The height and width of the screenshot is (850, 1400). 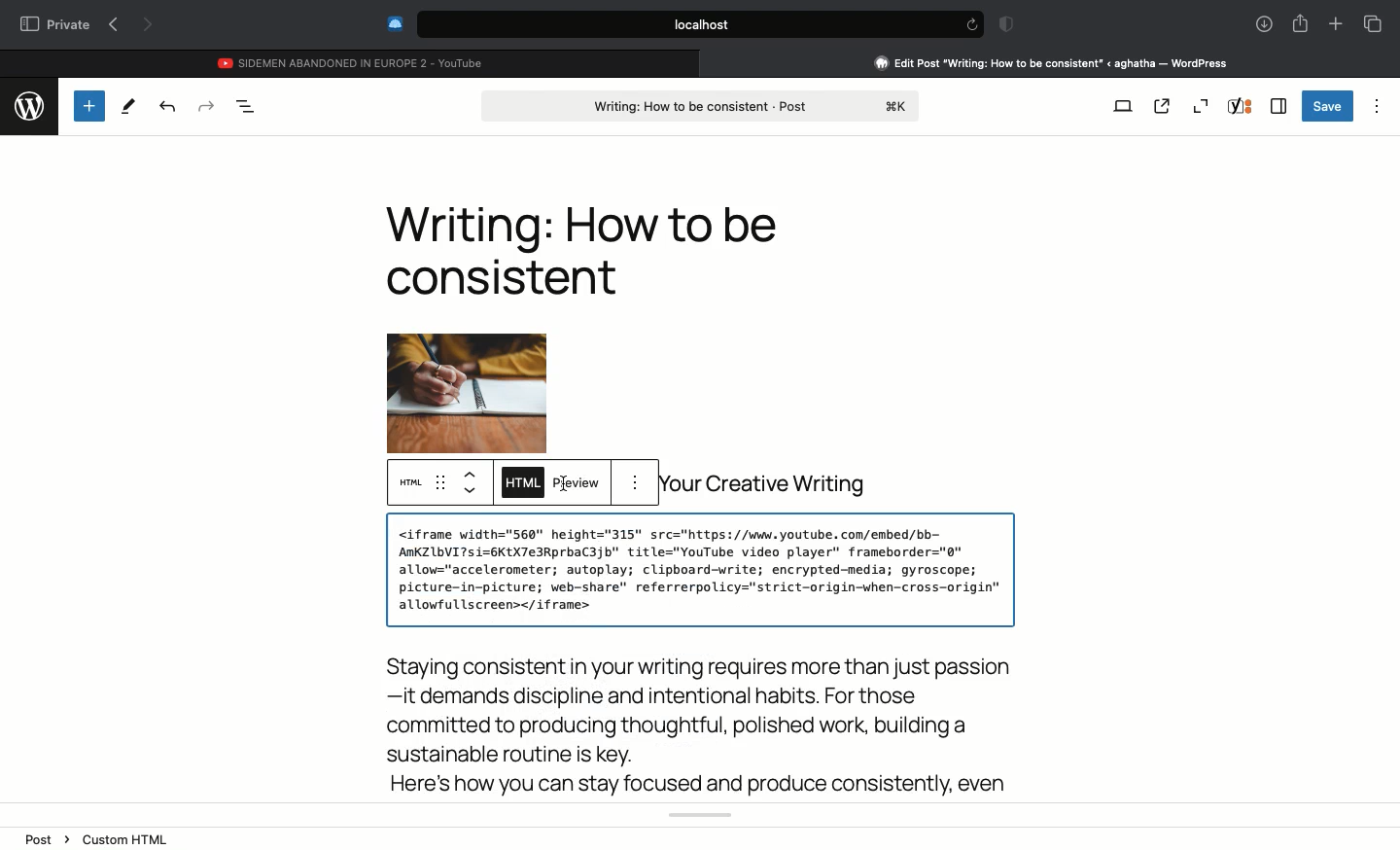 I want to click on View, so click(x=1124, y=104).